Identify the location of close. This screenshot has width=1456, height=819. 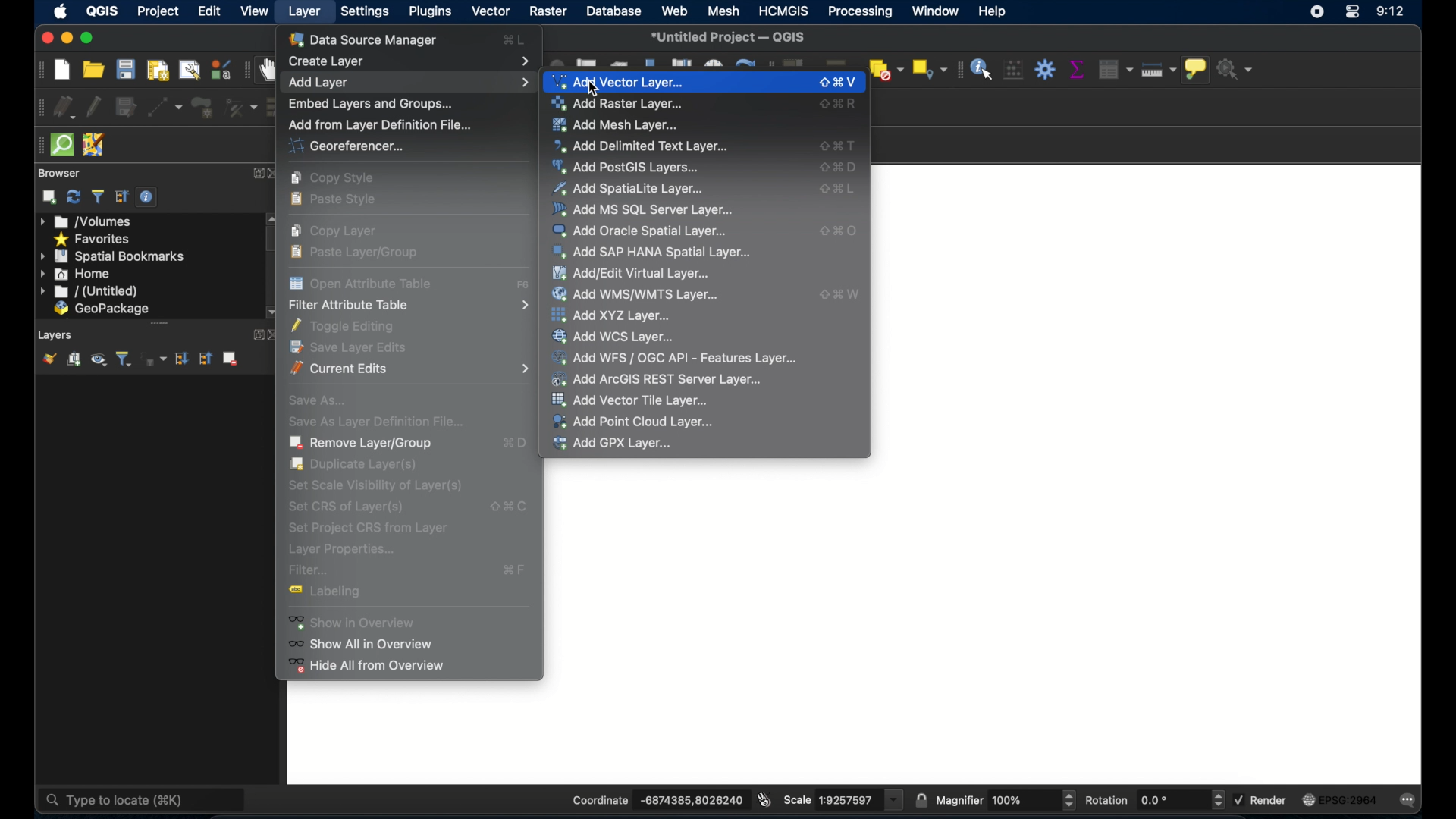
(44, 37).